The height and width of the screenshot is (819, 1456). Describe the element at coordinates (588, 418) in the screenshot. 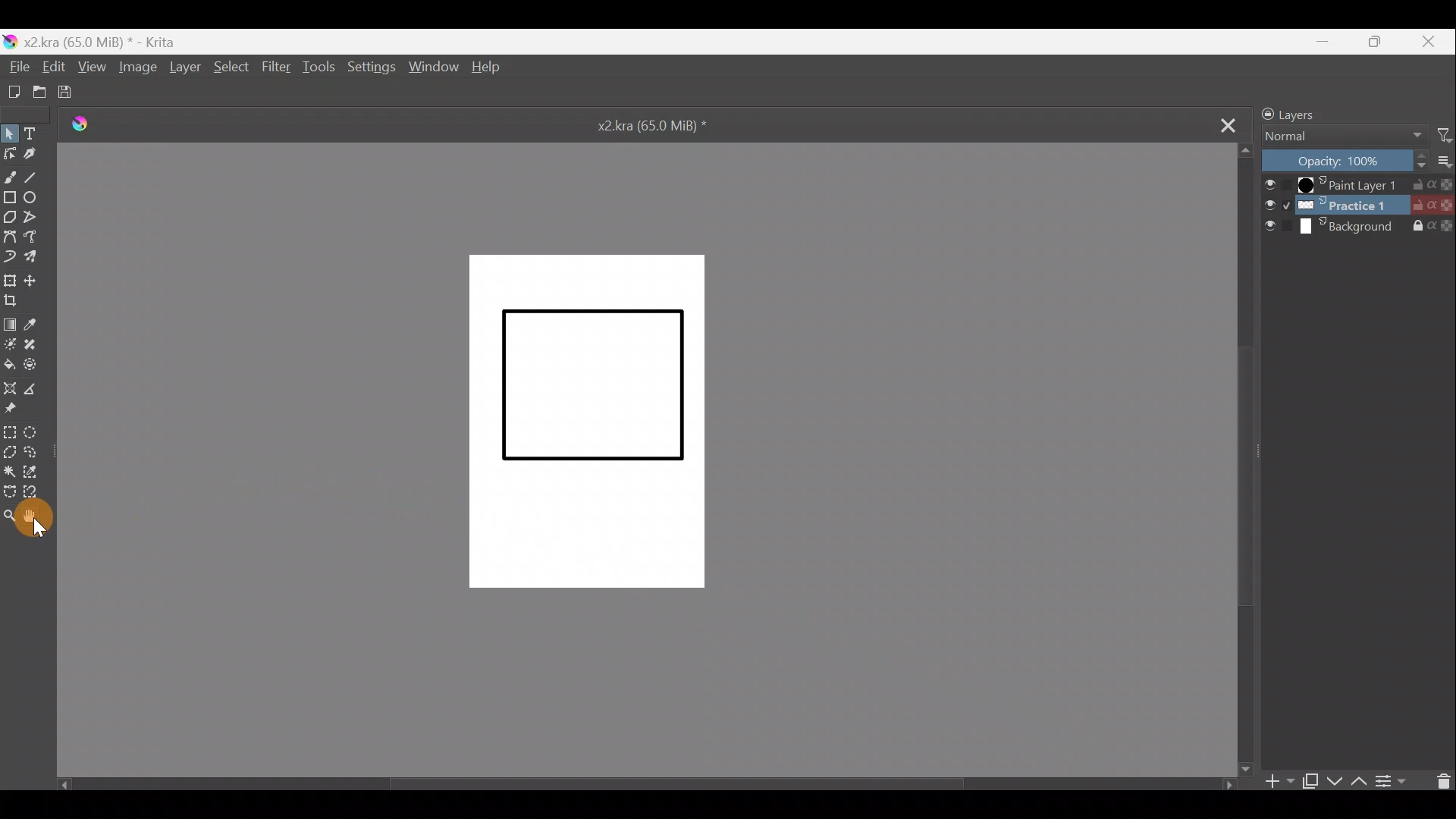

I see `Canvas` at that location.